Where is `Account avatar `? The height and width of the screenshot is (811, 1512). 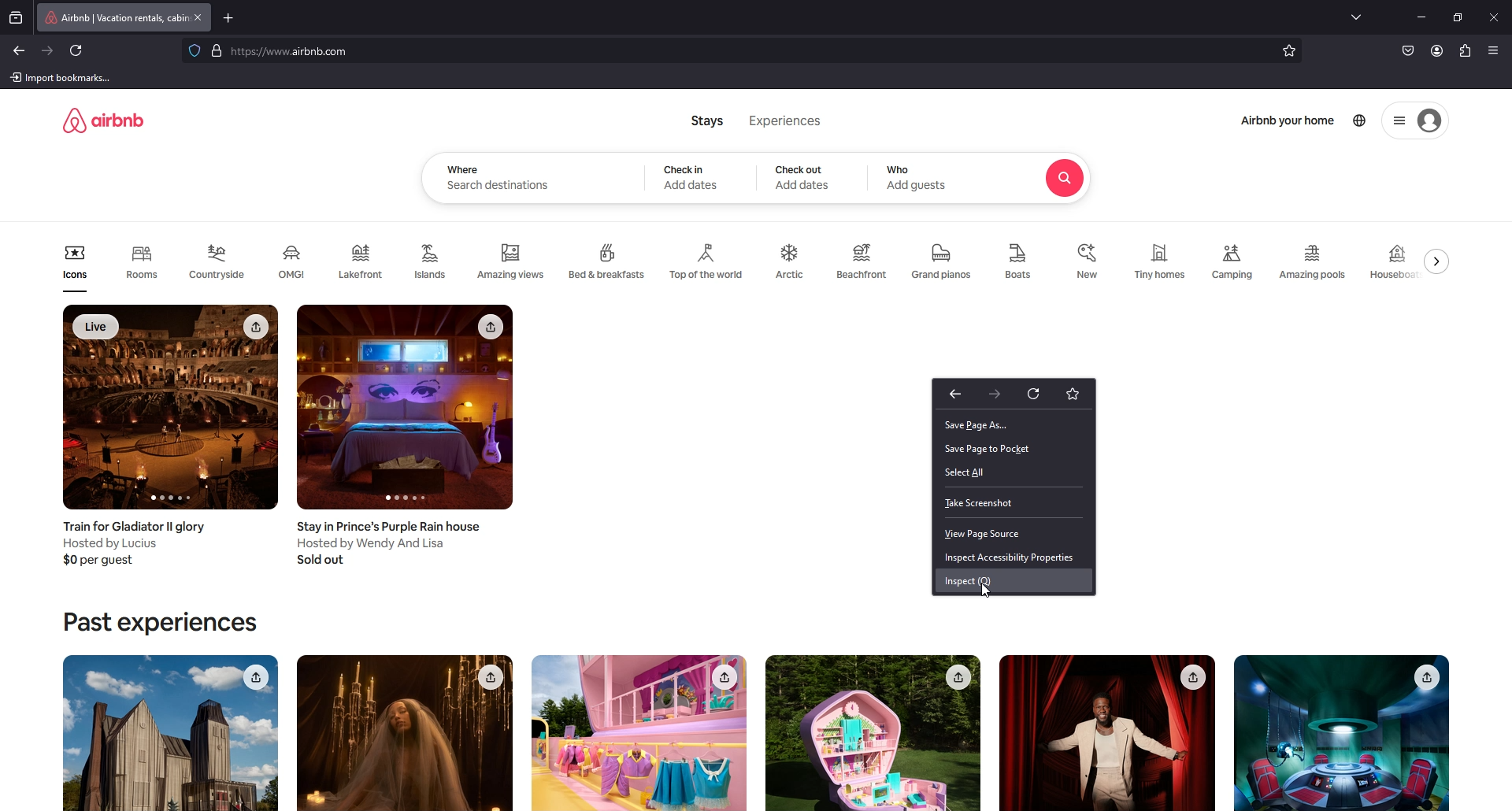
Account avatar  is located at coordinates (1429, 121).